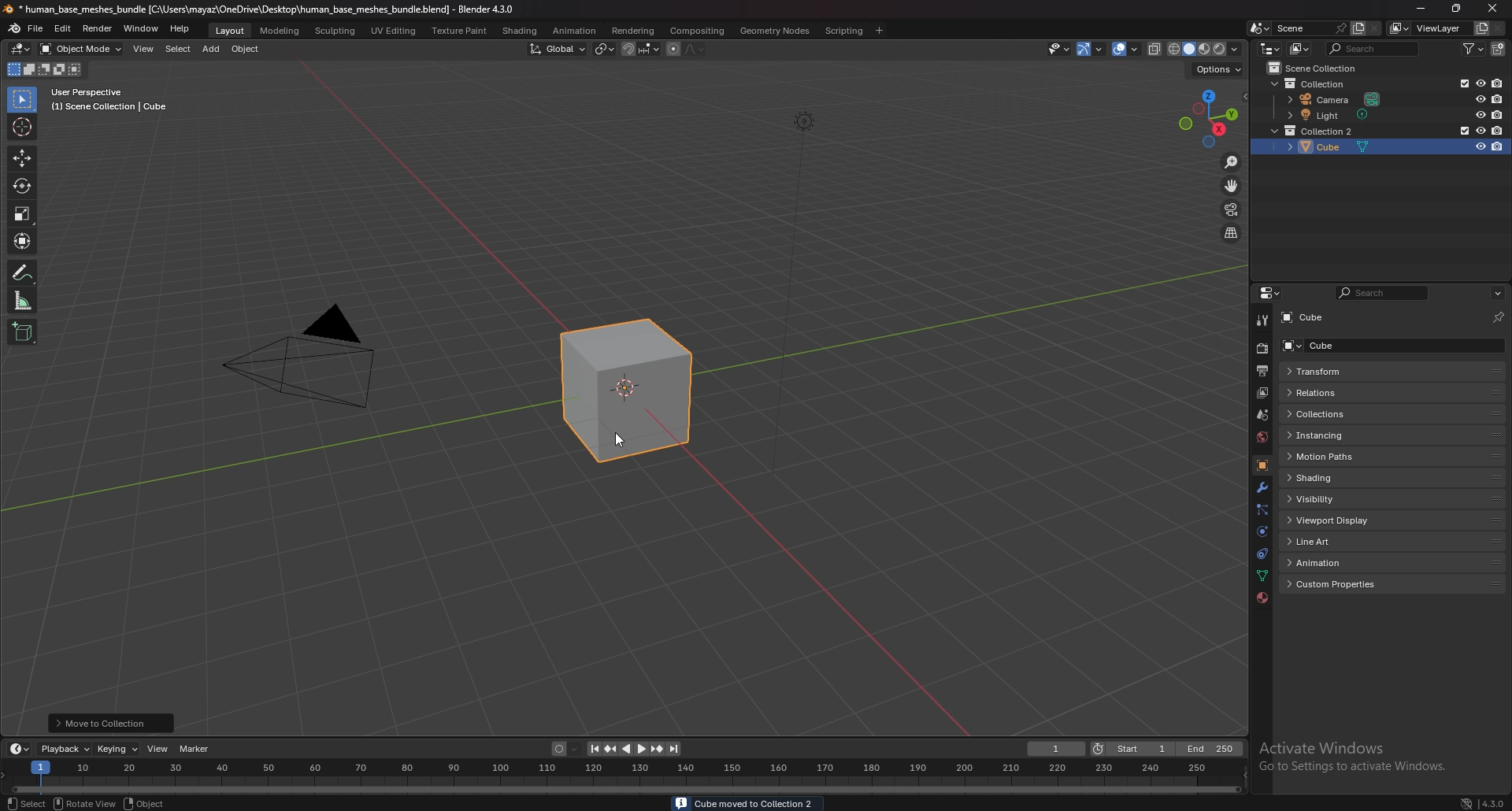 The image size is (1512, 811). Describe the element at coordinates (1456, 8) in the screenshot. I see `resize` at that location.